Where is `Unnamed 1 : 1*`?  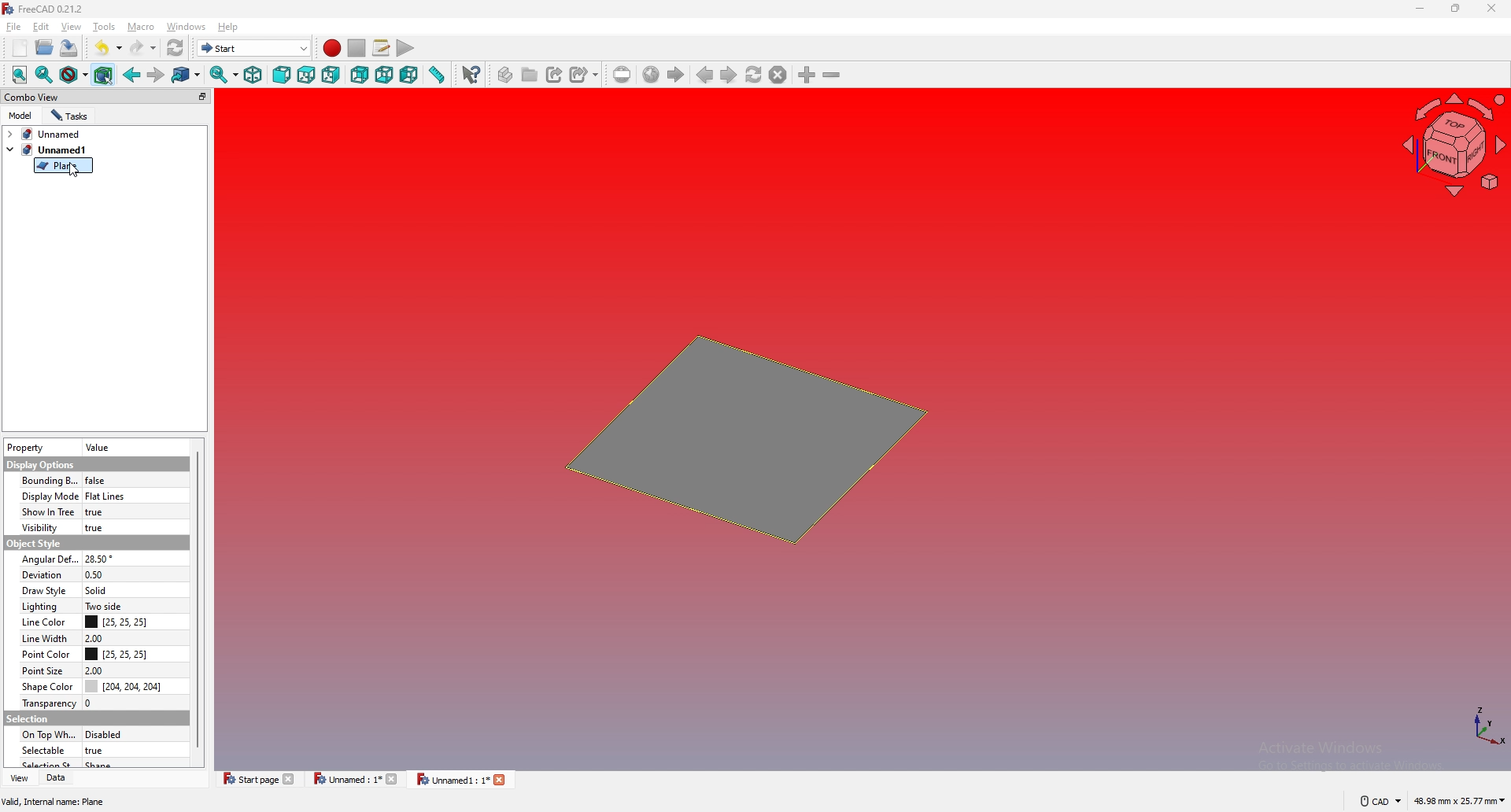 Unnamed 1 : 1* is located at coordinates (461, 781).